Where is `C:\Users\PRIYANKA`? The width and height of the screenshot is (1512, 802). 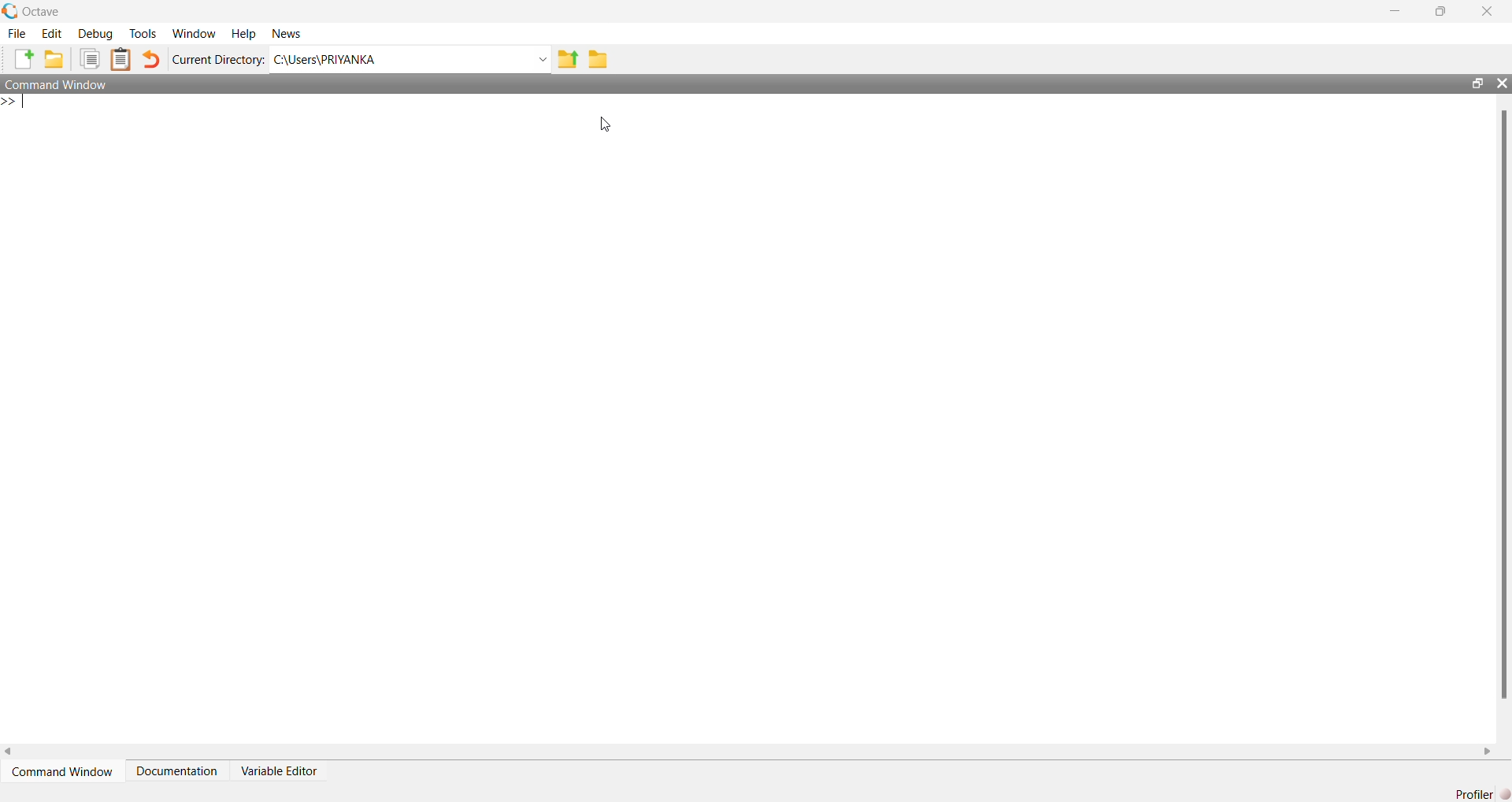 C:\Users\PRIYANKA is located at coordinates (410, 59).